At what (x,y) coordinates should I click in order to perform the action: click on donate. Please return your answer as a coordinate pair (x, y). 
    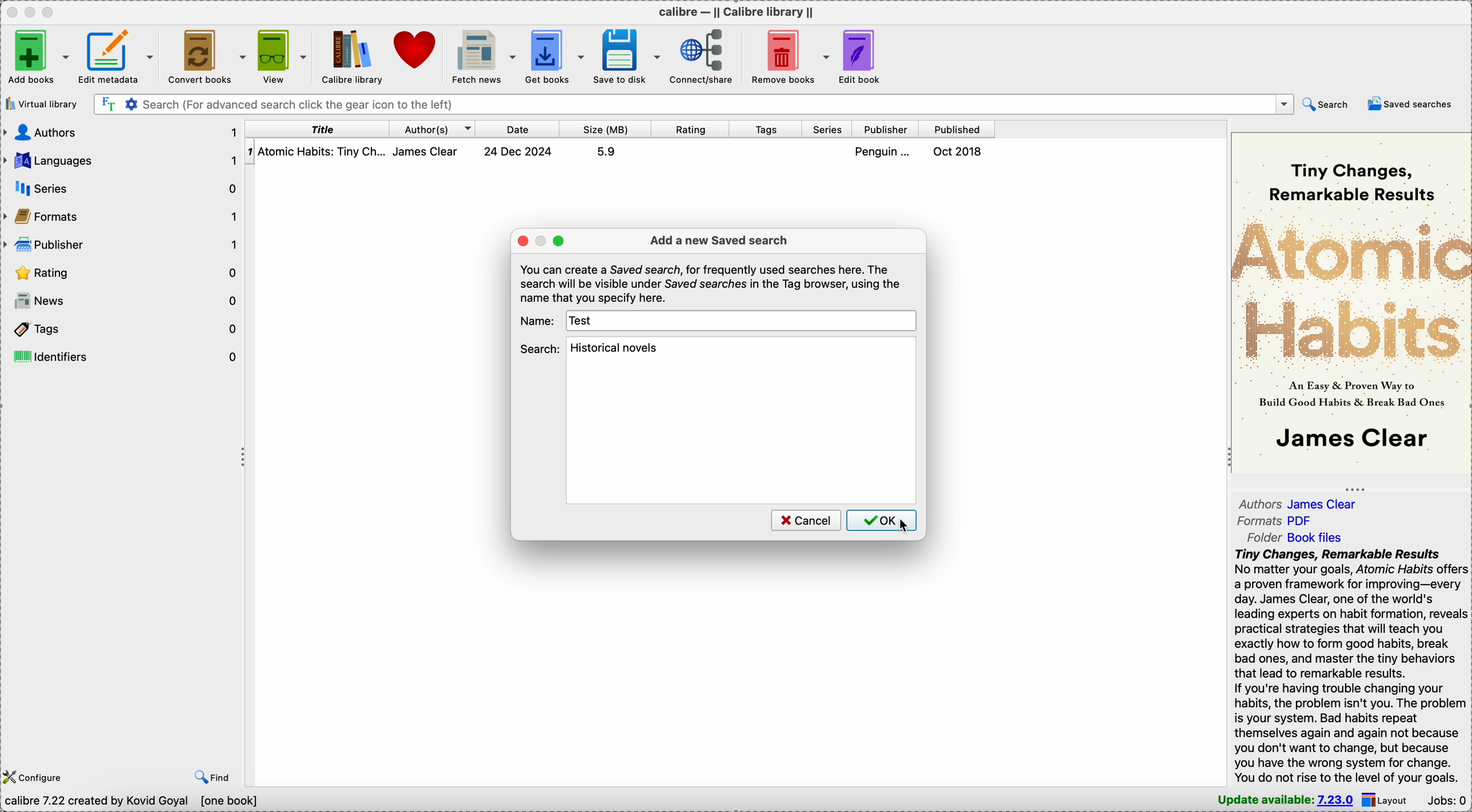
    Looking at the image, I should click on (418, 52).